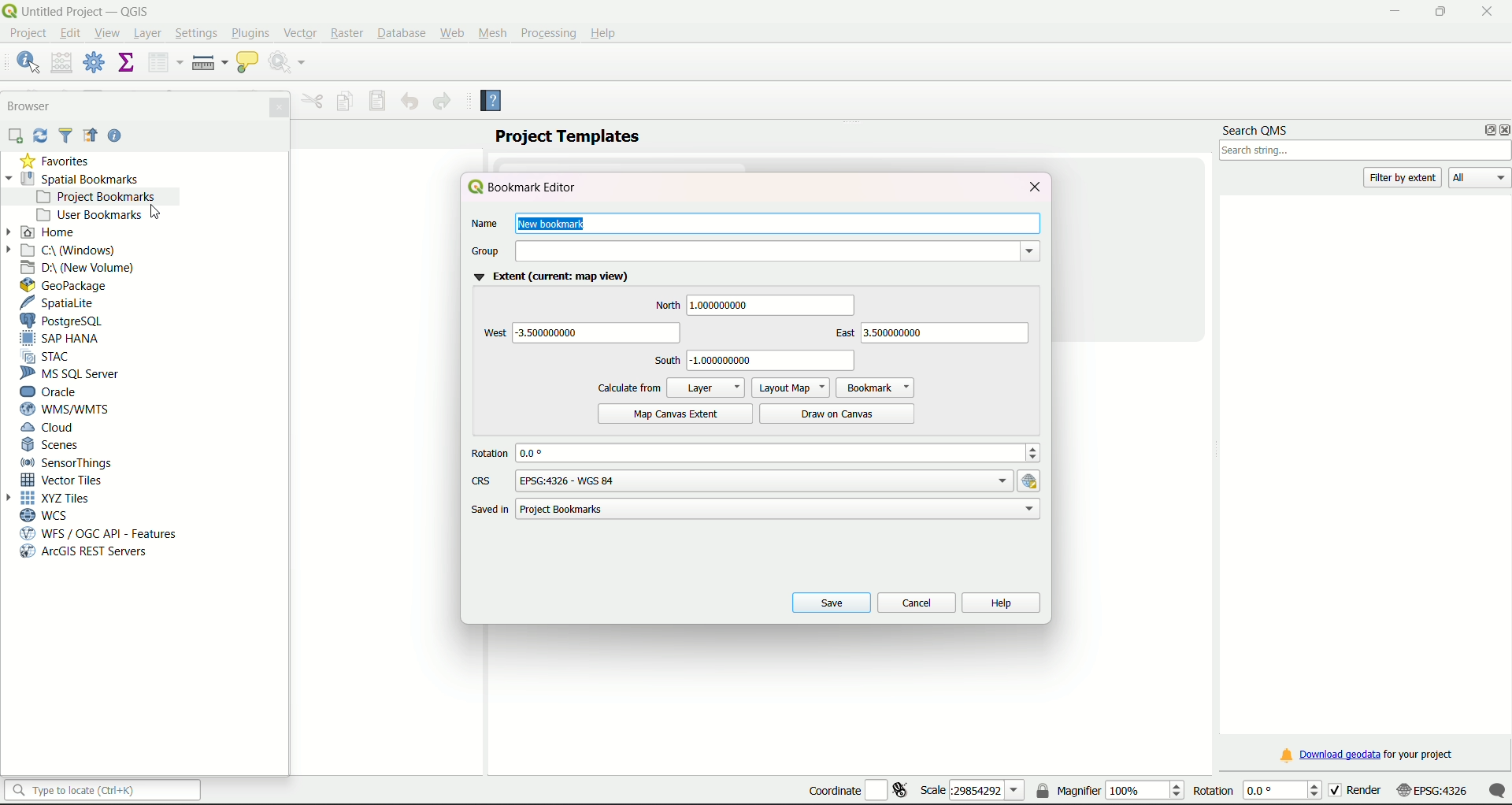 This screenshot has width=1512, height=805. I want to click on CRS, so click(483, 480).